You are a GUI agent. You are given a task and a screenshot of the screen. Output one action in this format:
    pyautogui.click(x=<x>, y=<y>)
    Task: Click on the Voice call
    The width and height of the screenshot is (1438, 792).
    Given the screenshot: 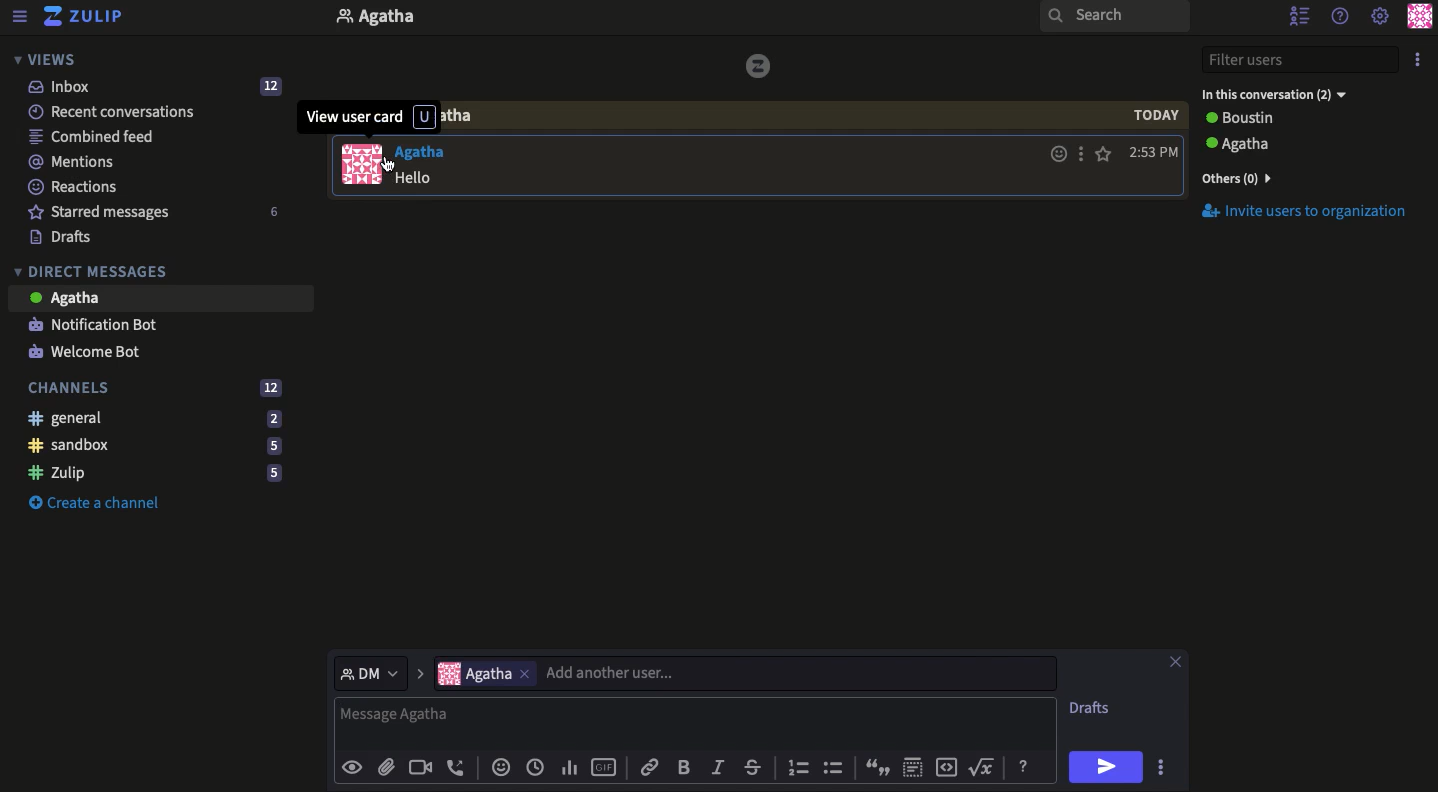 What is the action you would take?
    pyautogui.click(x=456, y=767)
    